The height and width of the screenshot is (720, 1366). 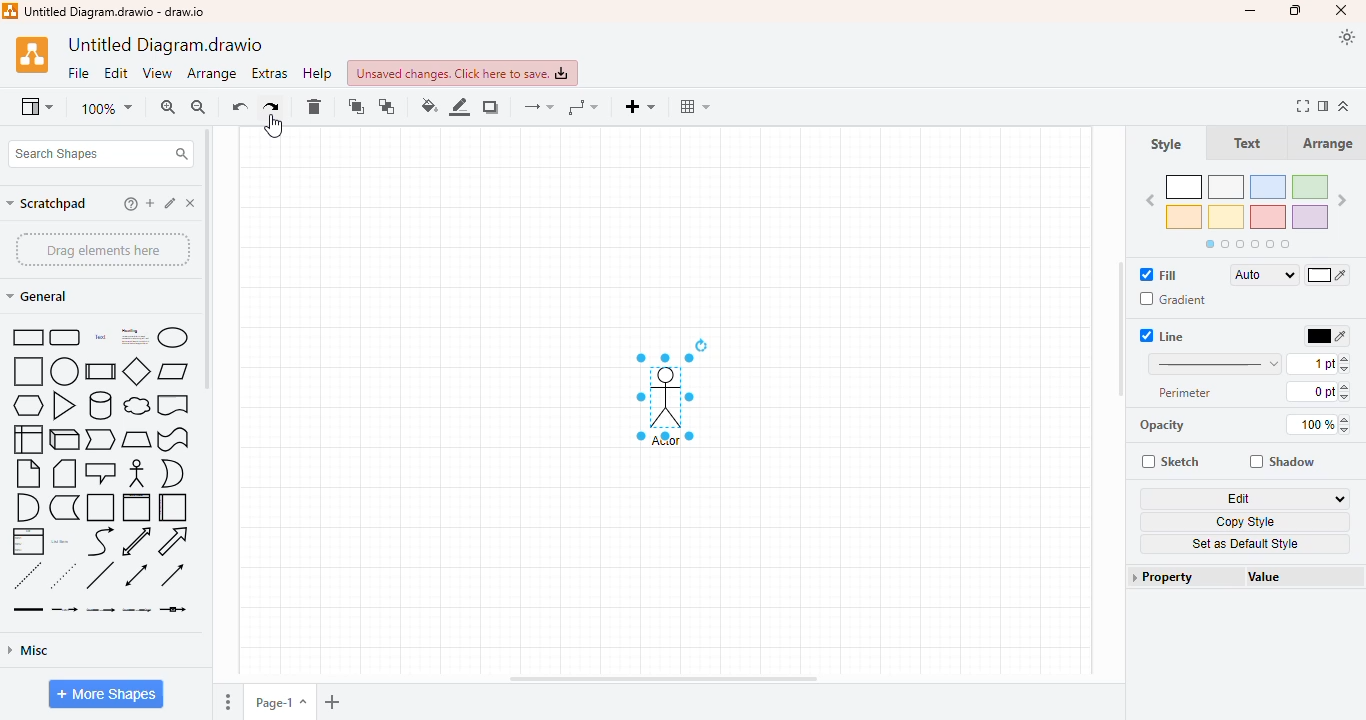 I want to click on arrange, so click(x=211, y=74).